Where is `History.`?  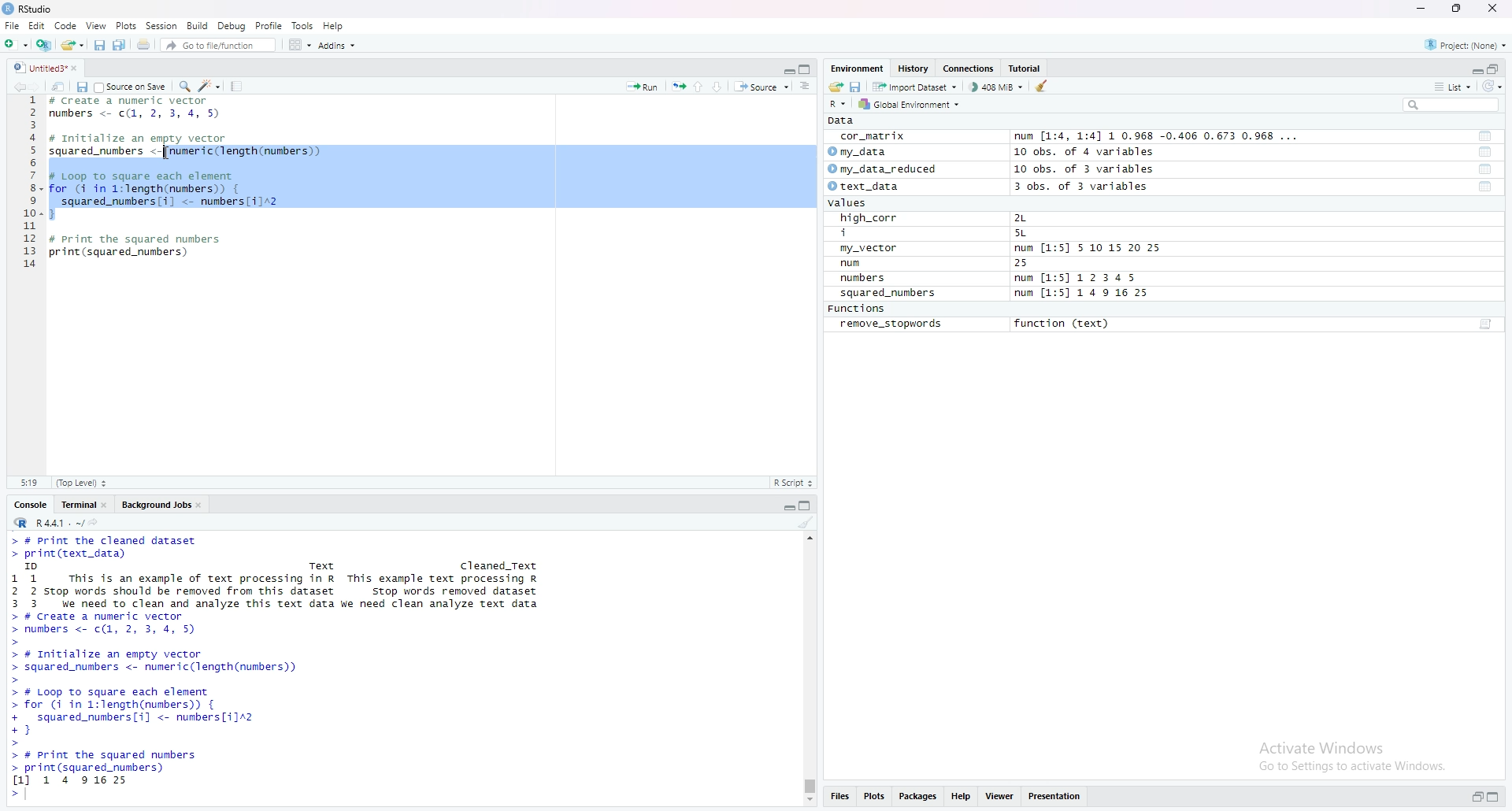 History. is located at coordinates (915, 68).